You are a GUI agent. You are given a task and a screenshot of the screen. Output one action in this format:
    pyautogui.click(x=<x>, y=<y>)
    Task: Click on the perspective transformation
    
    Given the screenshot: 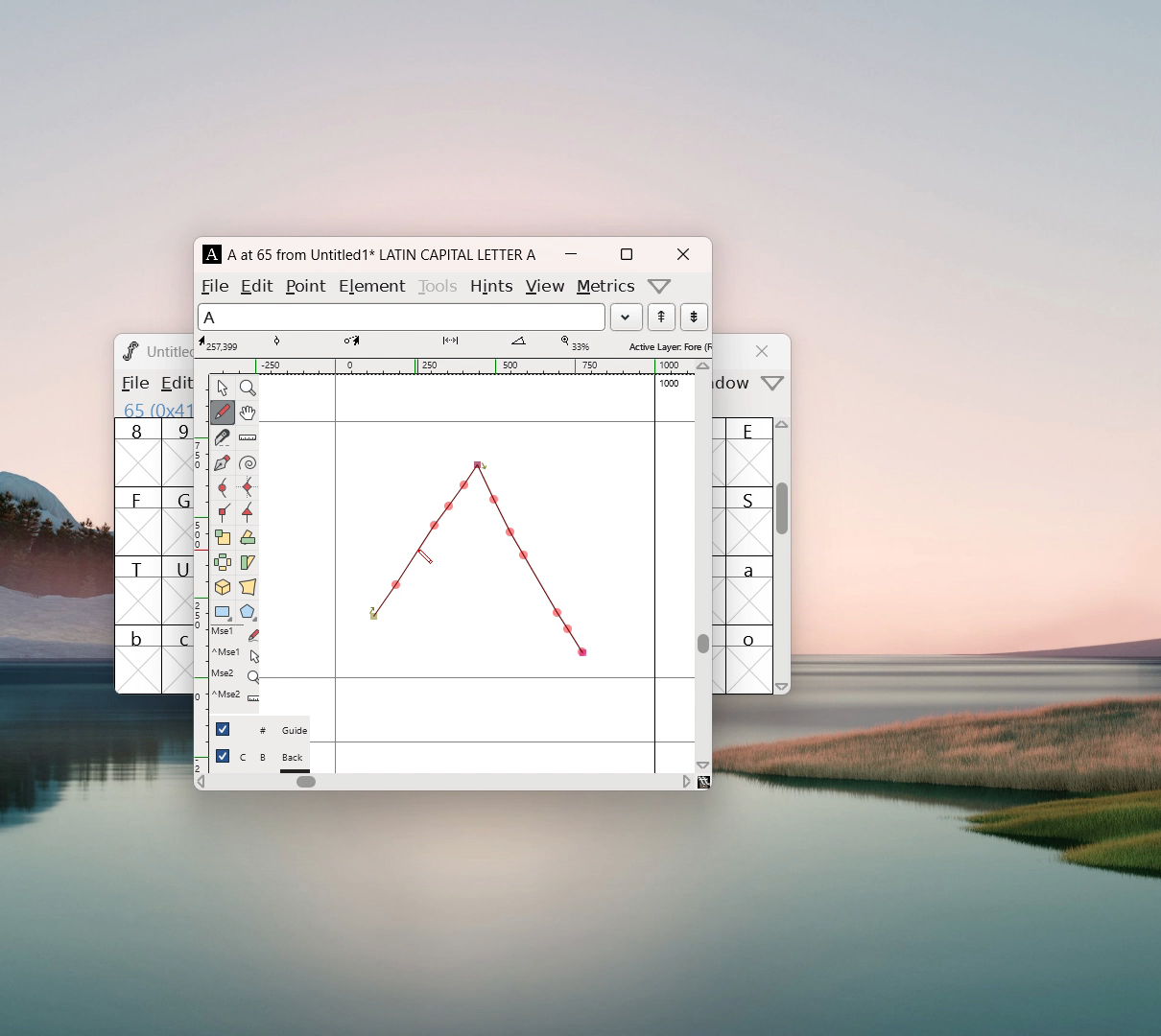 What is the action you would take?
    pyautogui.click(x=248, y=589)
    